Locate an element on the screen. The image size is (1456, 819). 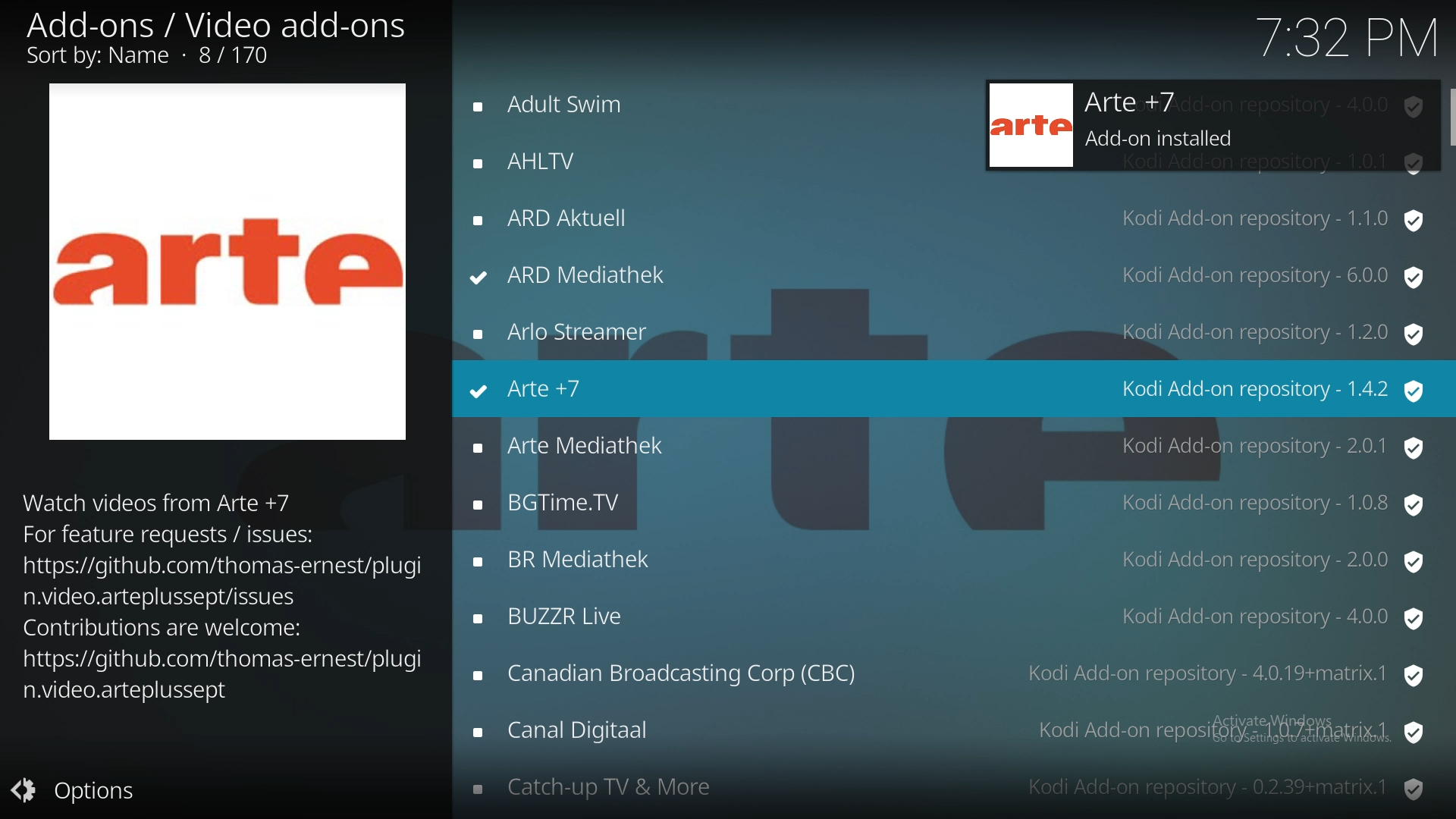
add on is located at coordinates (943, 218).